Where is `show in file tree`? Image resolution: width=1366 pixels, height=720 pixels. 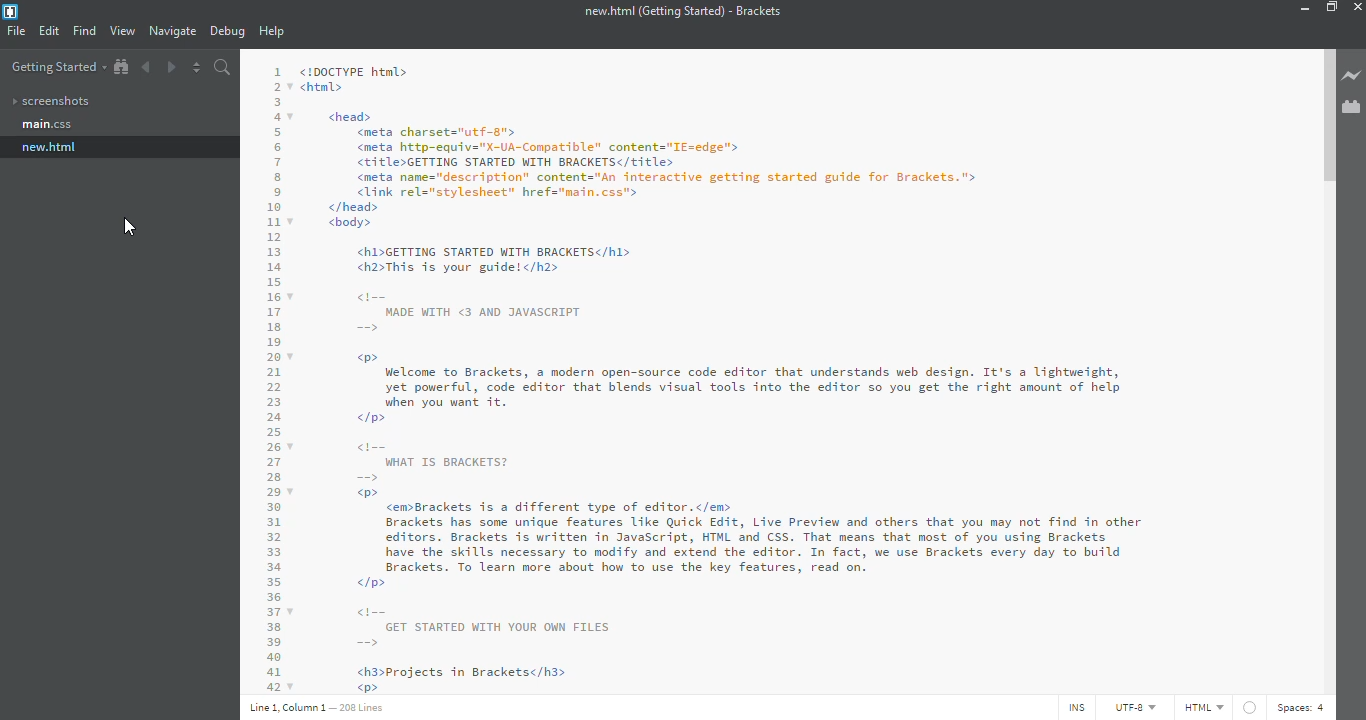 show in file tree is located at coordinates (121, 67).